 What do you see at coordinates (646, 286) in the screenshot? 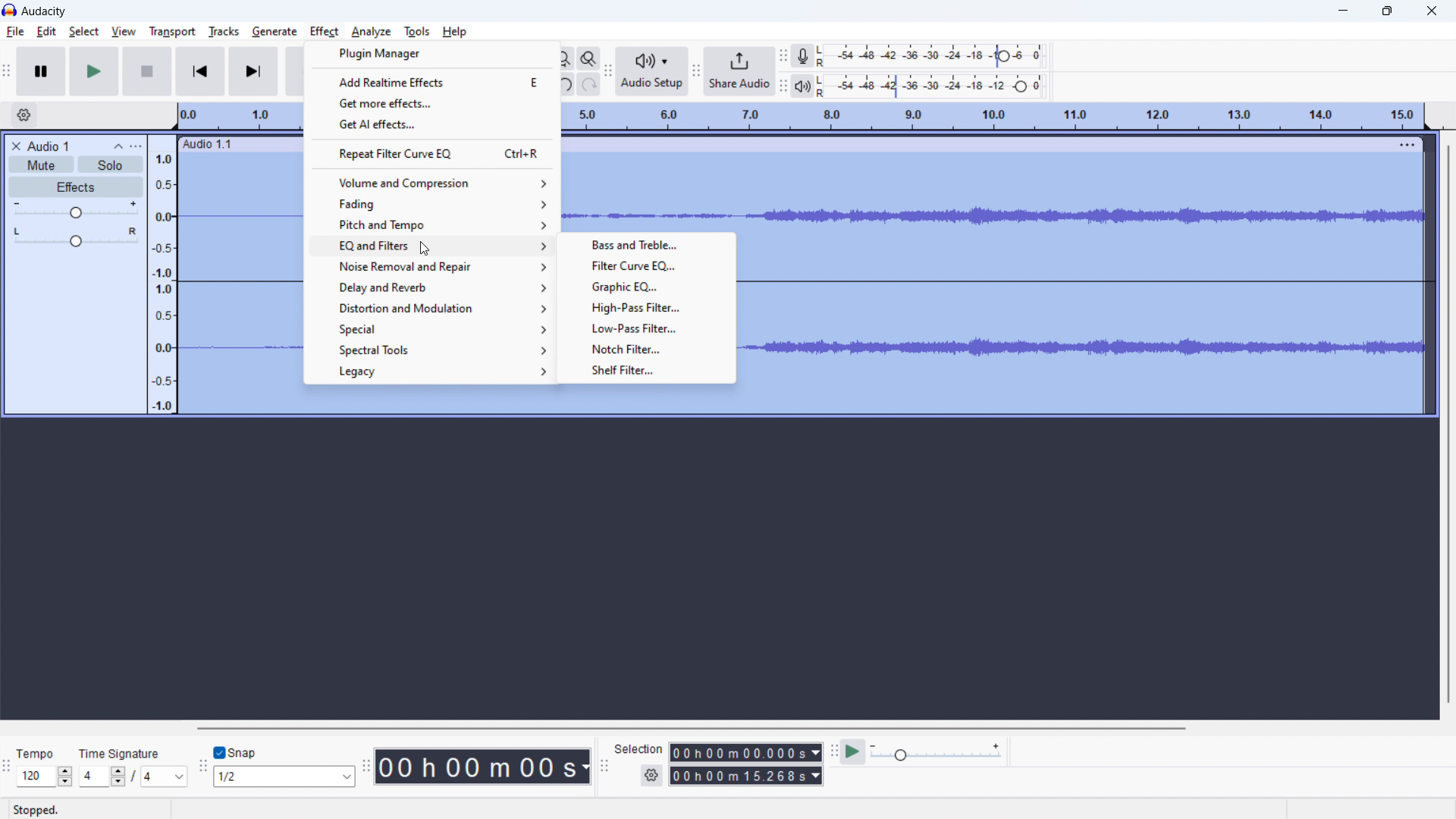
I see `graphic EQ` at bounding box center [646, 286].